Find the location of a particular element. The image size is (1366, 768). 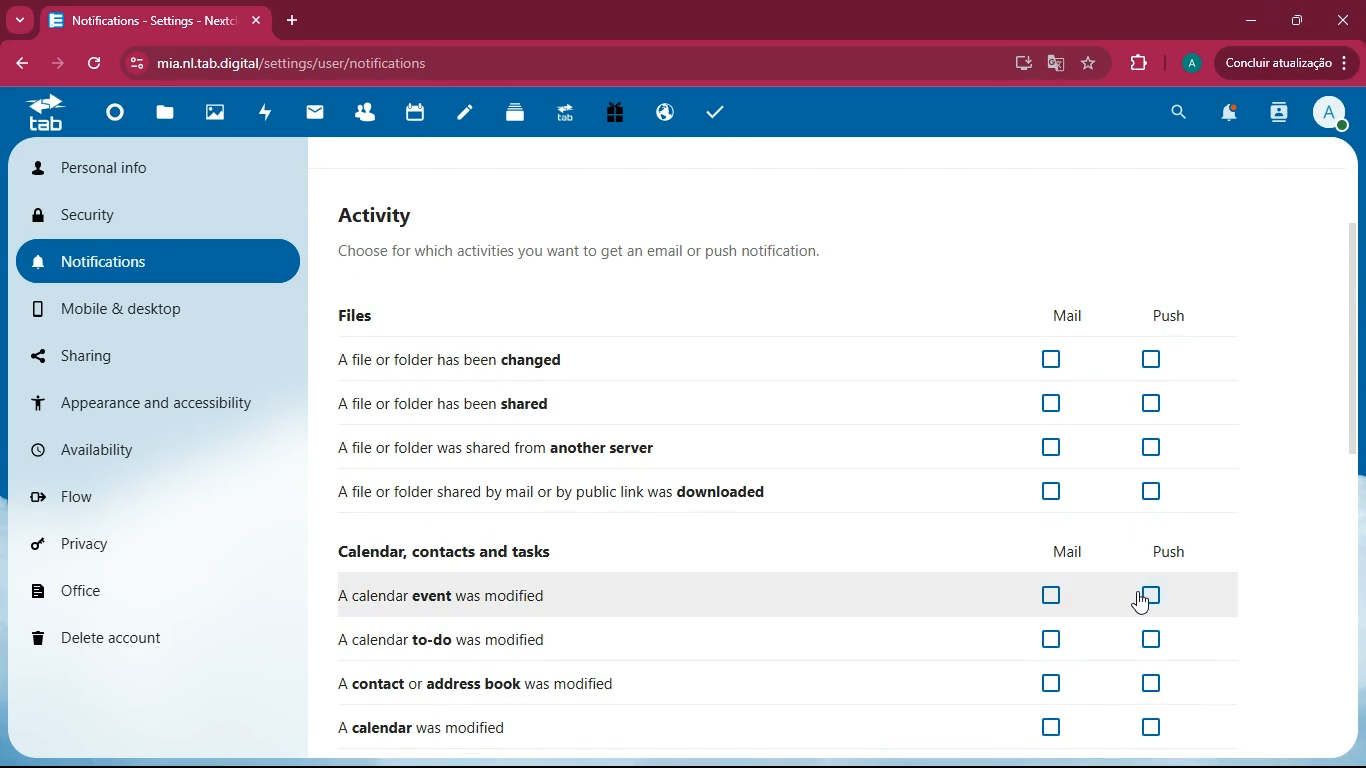

A contact or address book was modified is located at coordinates (516, 685).